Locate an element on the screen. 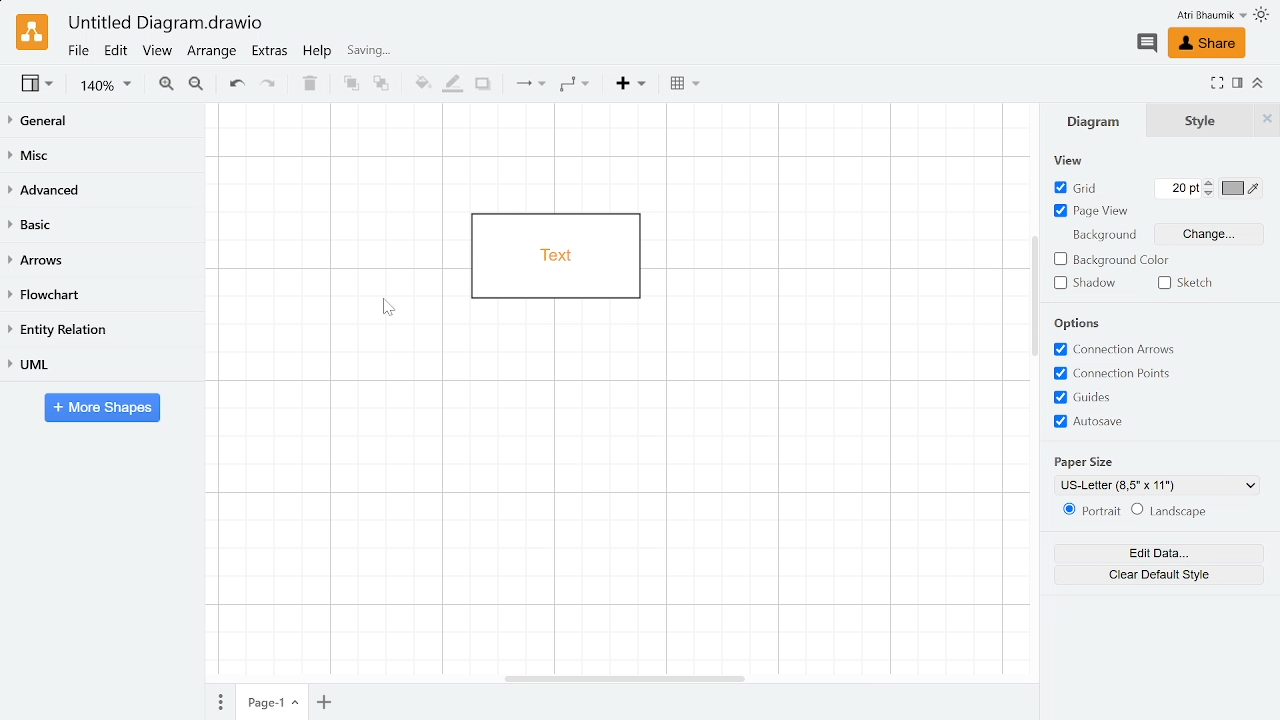 Image resolution: width=1280 pixels, height=720 pixels. Undo is located at coordinates (238, 85).